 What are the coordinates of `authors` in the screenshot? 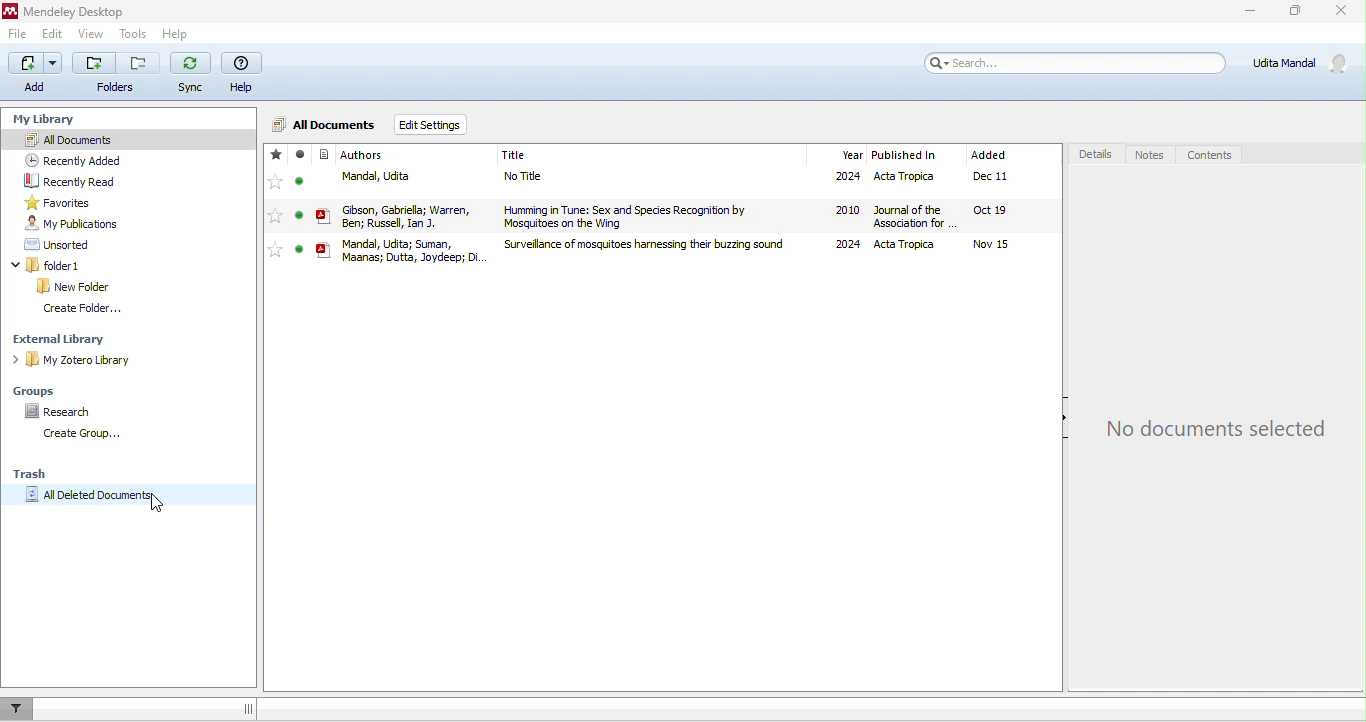 It's located at (353, 151).